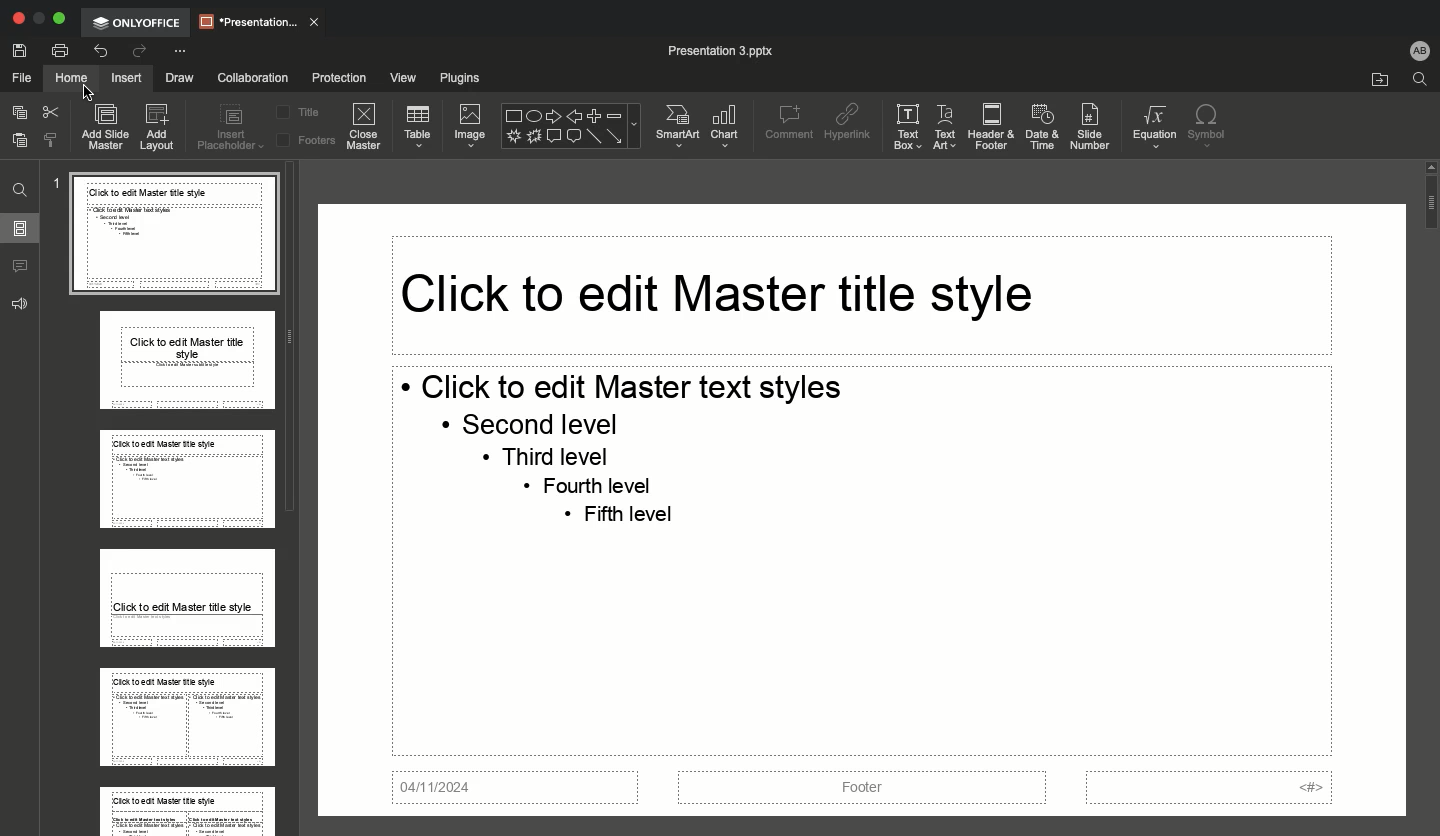  I want to click on Equation, so click(1151, 127).